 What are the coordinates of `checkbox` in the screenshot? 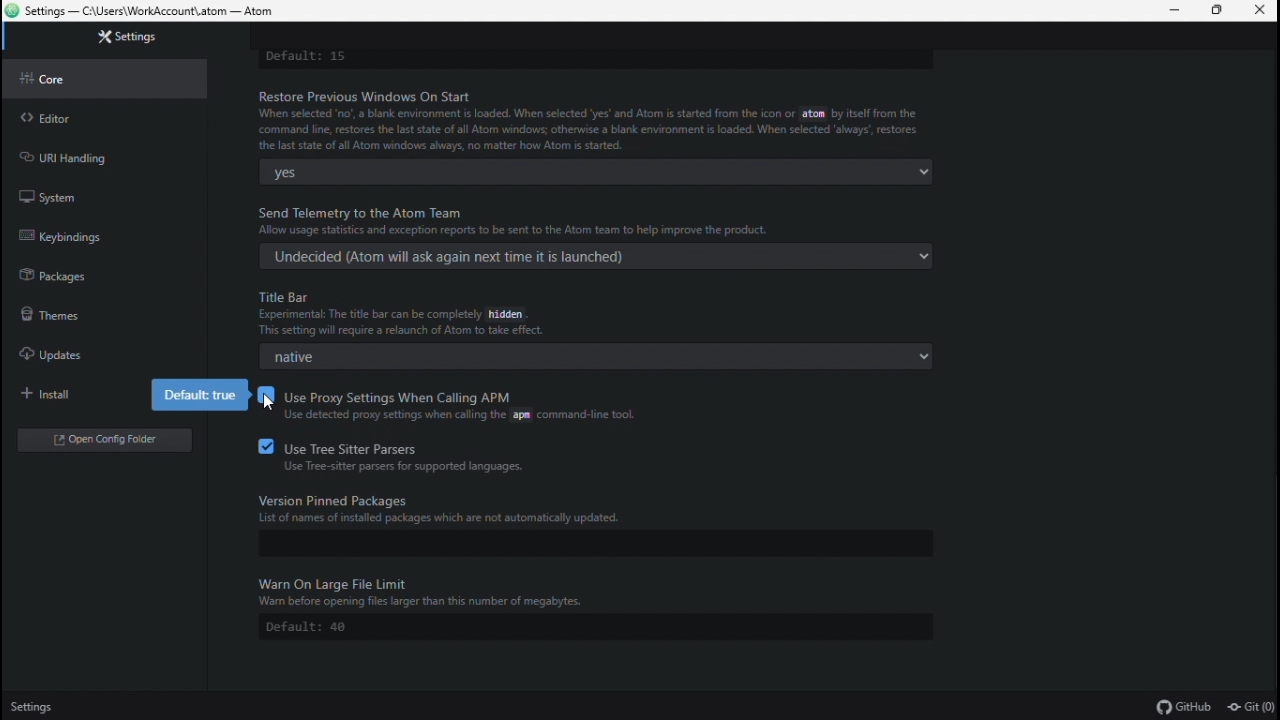 It's located at (262, 395).